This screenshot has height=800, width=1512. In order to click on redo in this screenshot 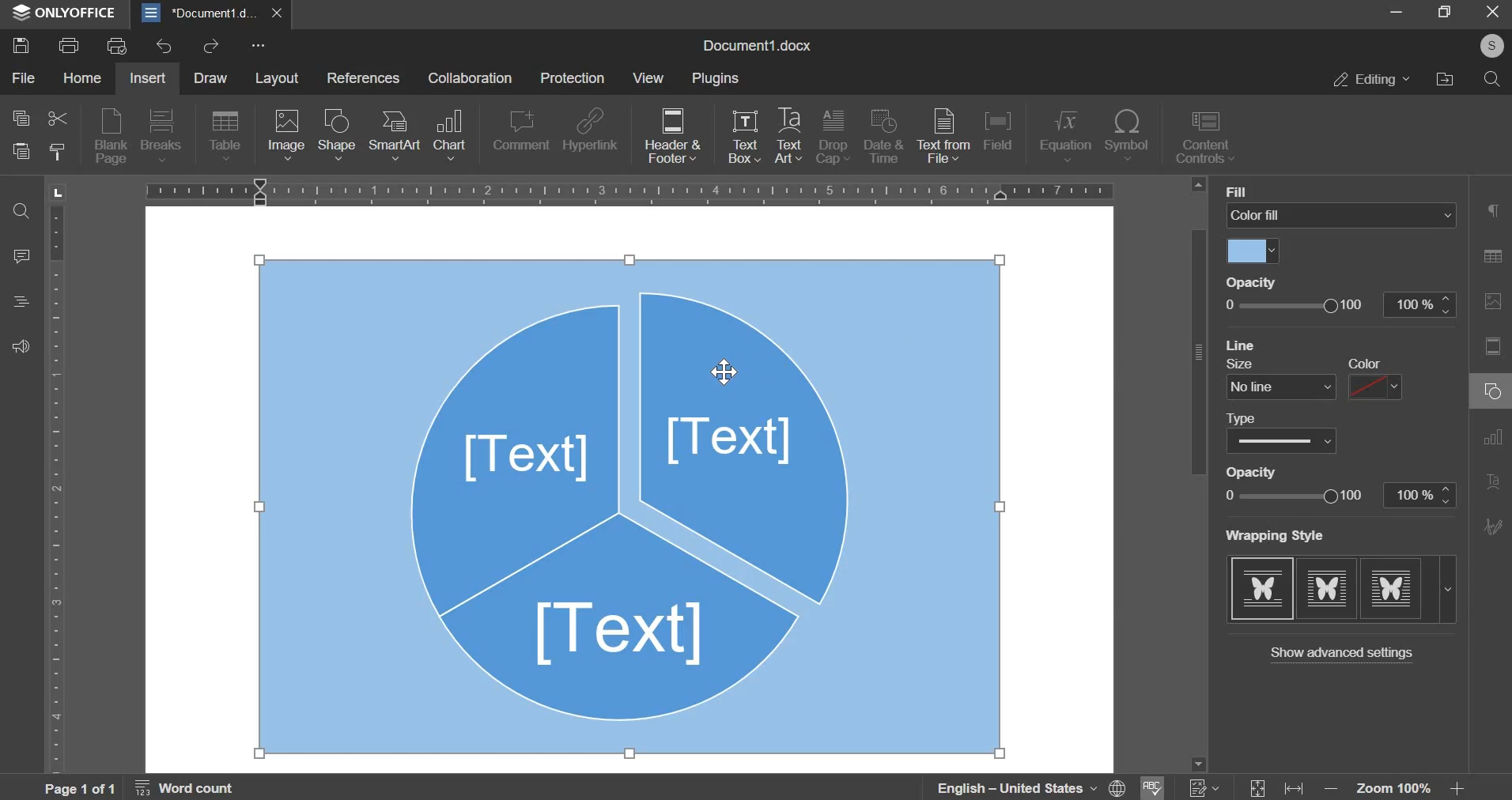, I will do `click(214, 46)`.